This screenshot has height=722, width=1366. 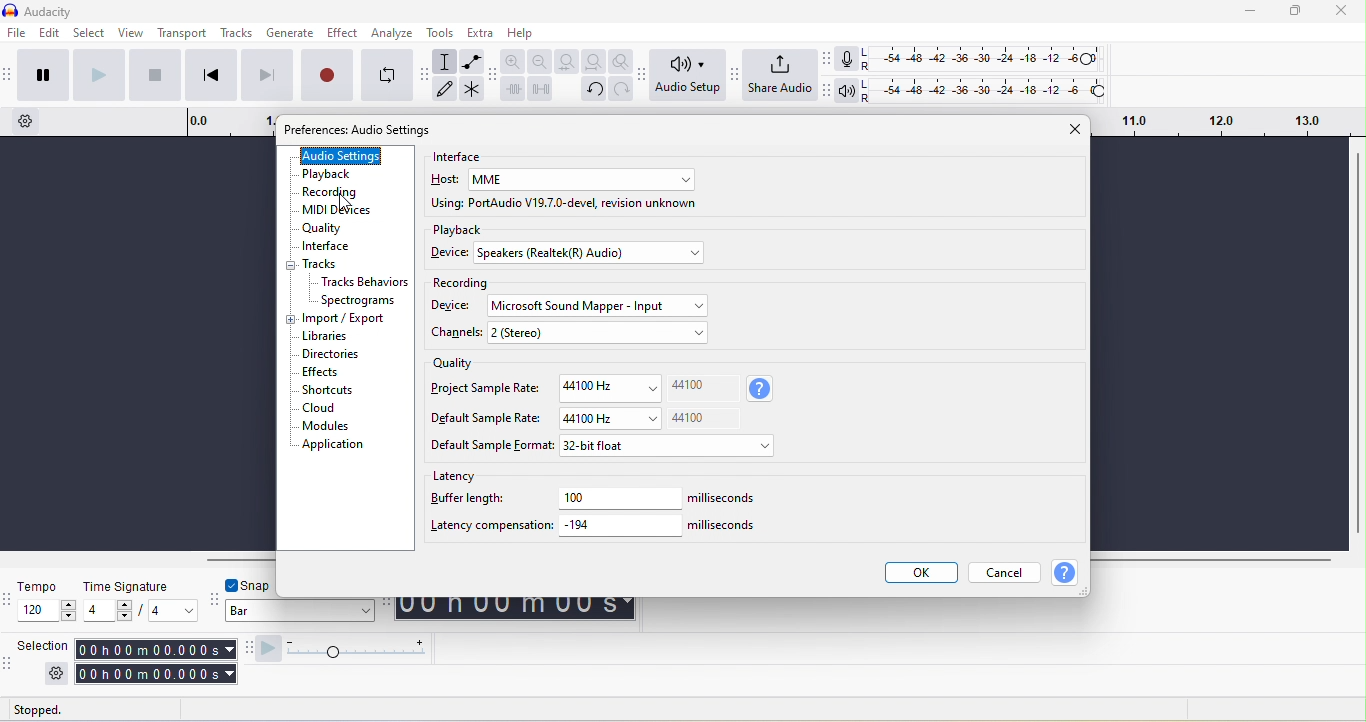 I want to click on audacity tools toolbar, so click(x=424, y=76).